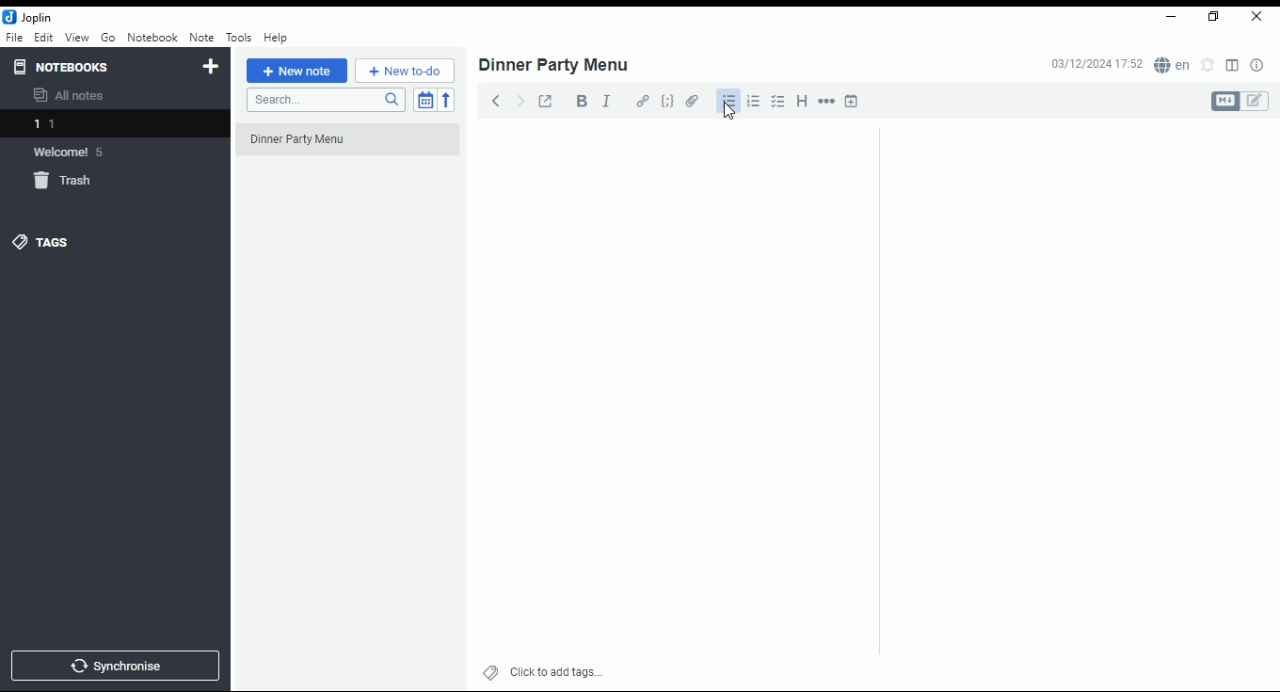 The width and height of the screenshot is (1280, 692). I want to click on numbered list, so click(756, 99).